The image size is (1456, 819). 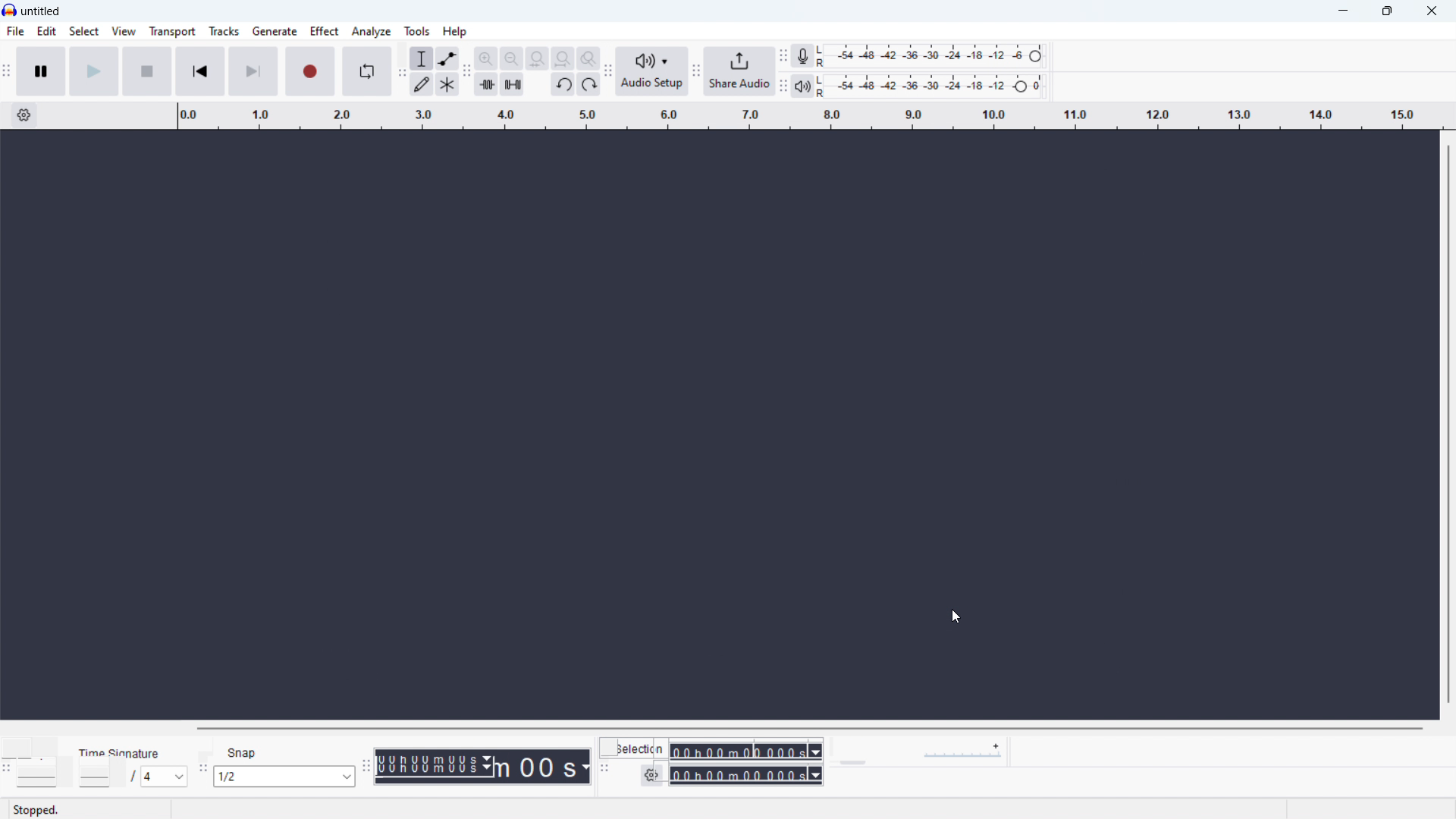 I want to click on recording meter toolbar, so click(x=782, y=55).